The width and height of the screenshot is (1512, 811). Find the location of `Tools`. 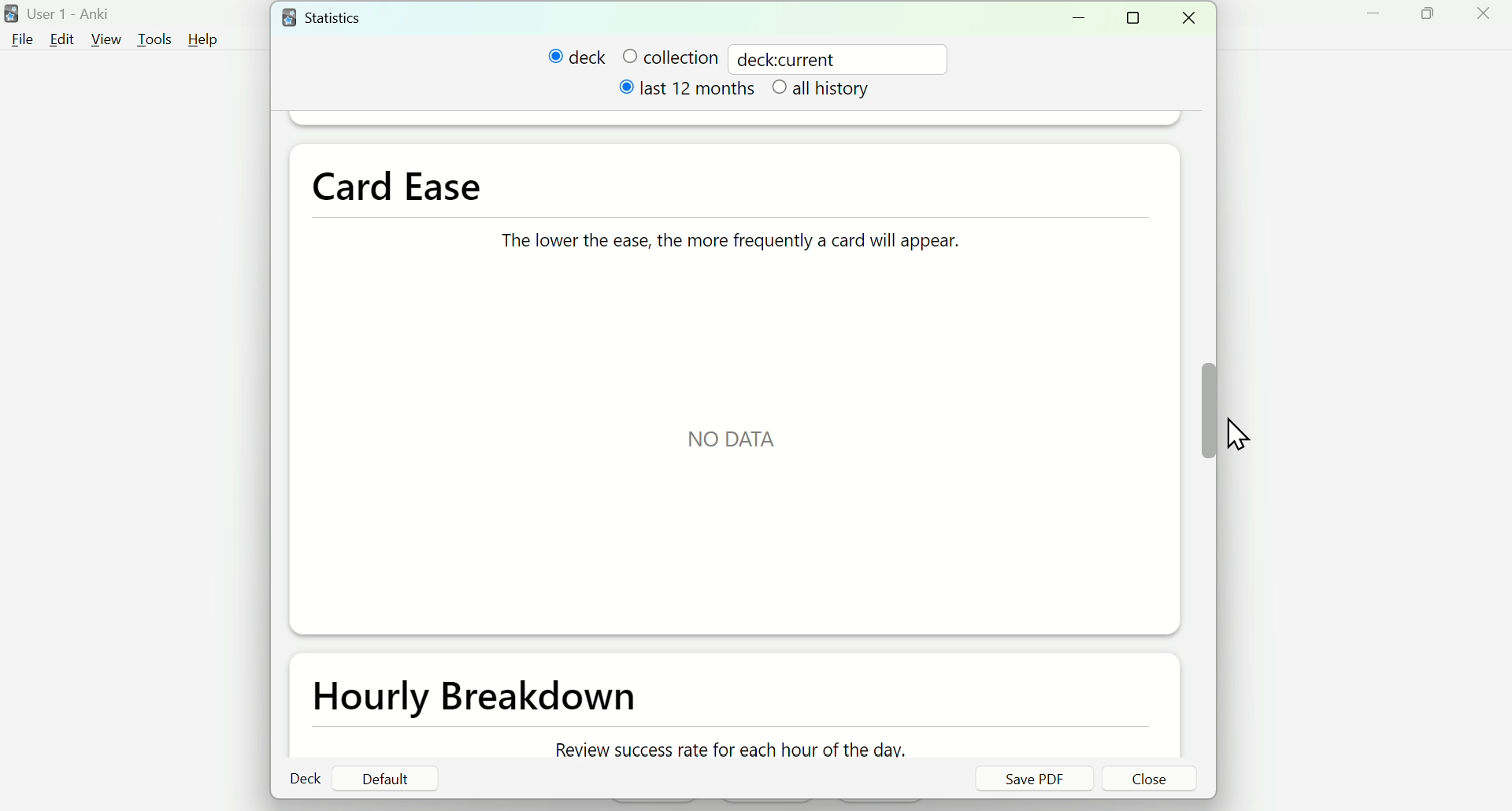

Tools is located at coordinates (151, 37).